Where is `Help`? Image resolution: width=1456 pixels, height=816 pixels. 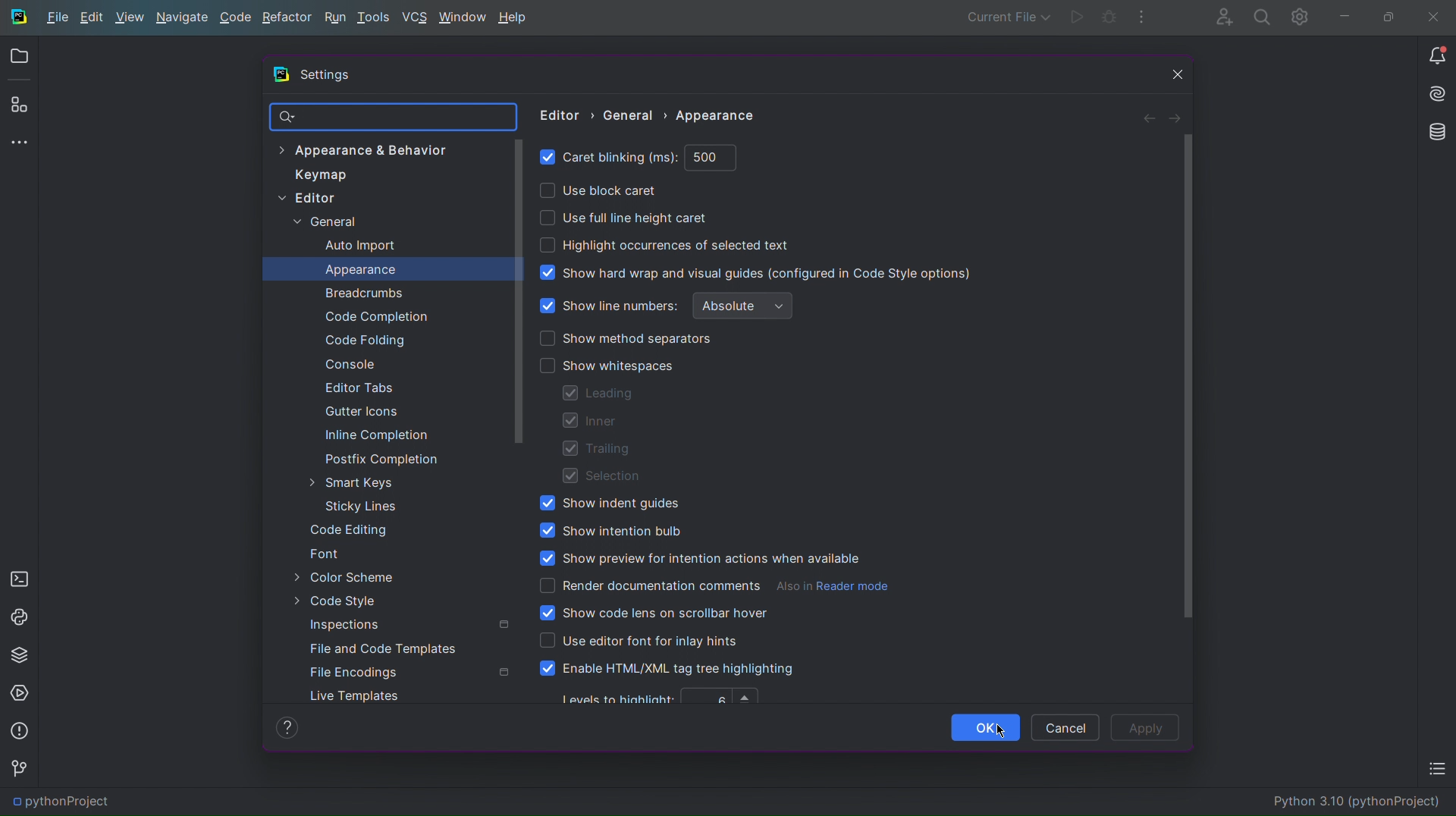 Help is located at coordinates (516, 17).